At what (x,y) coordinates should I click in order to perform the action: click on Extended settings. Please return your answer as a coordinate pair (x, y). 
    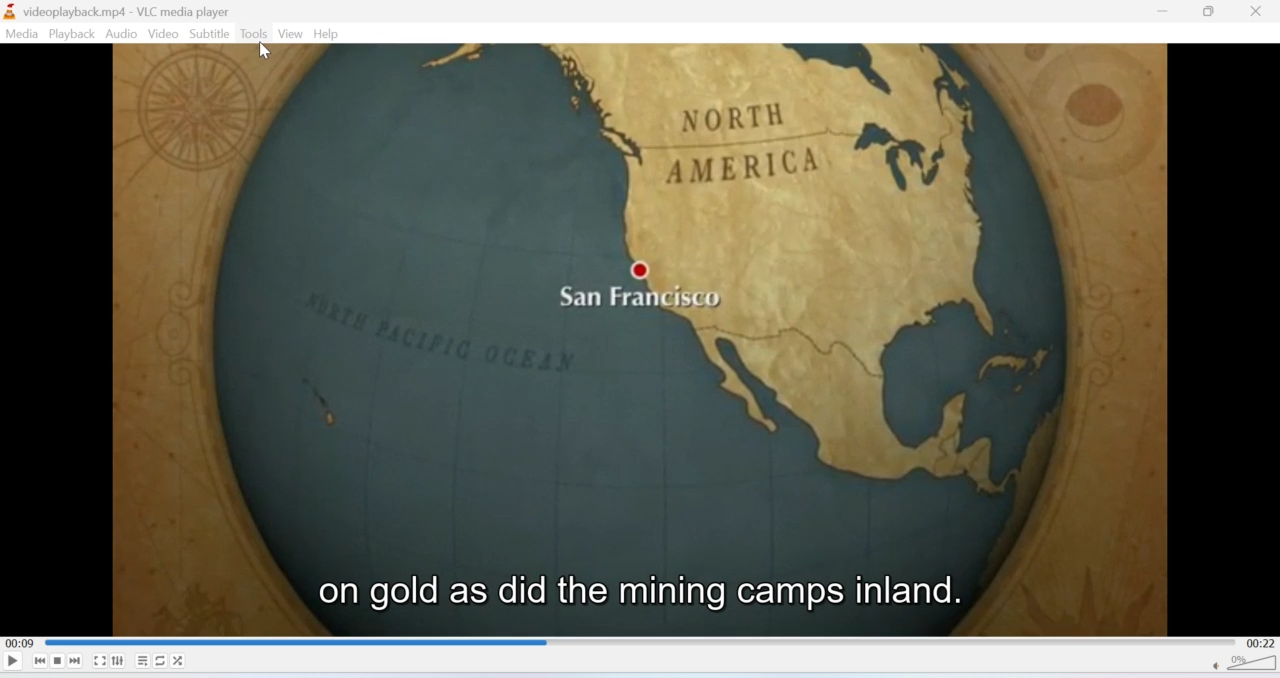
    Looking at the image, I should click on (117, 660).